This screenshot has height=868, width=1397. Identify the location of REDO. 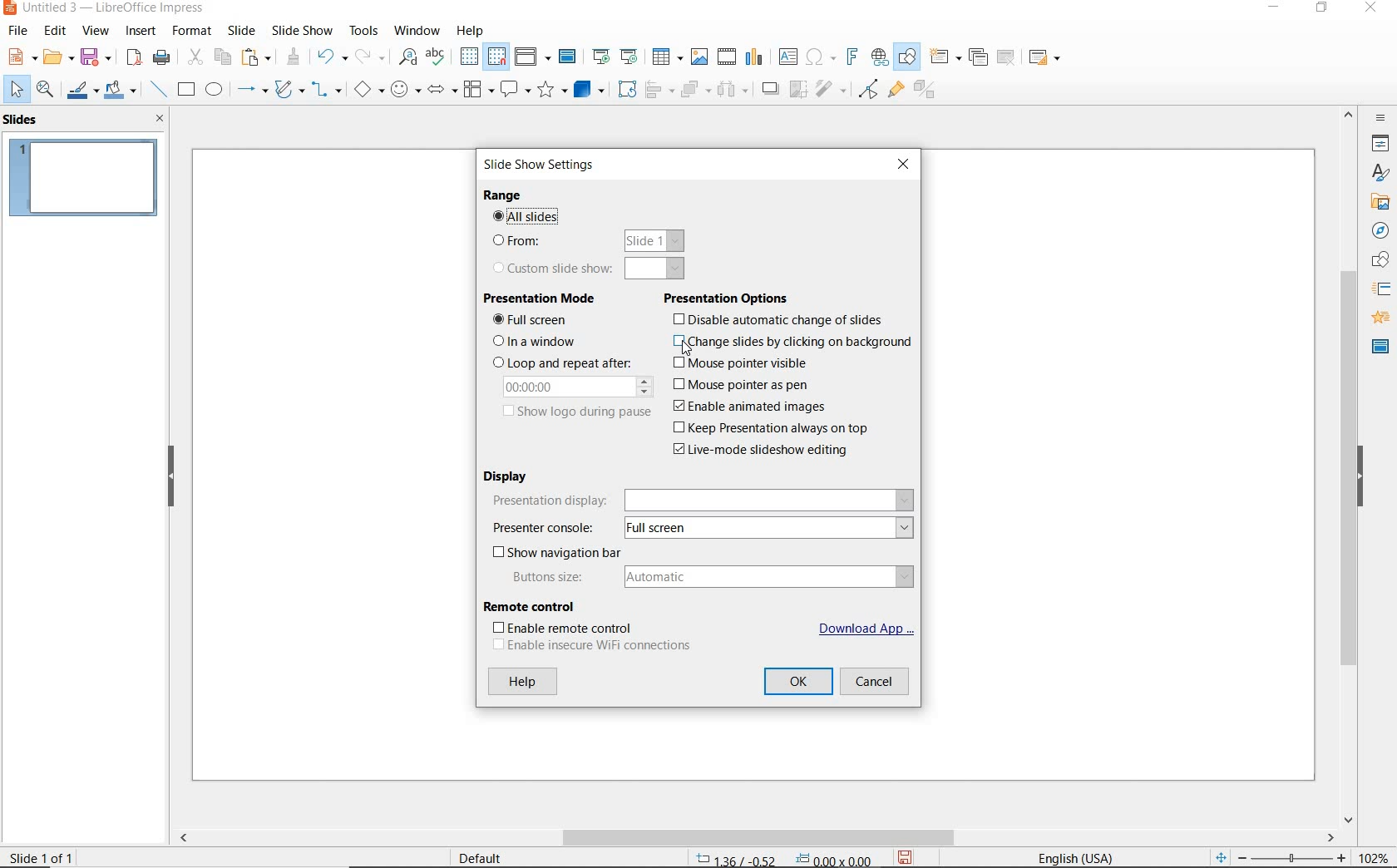
(368, 57).